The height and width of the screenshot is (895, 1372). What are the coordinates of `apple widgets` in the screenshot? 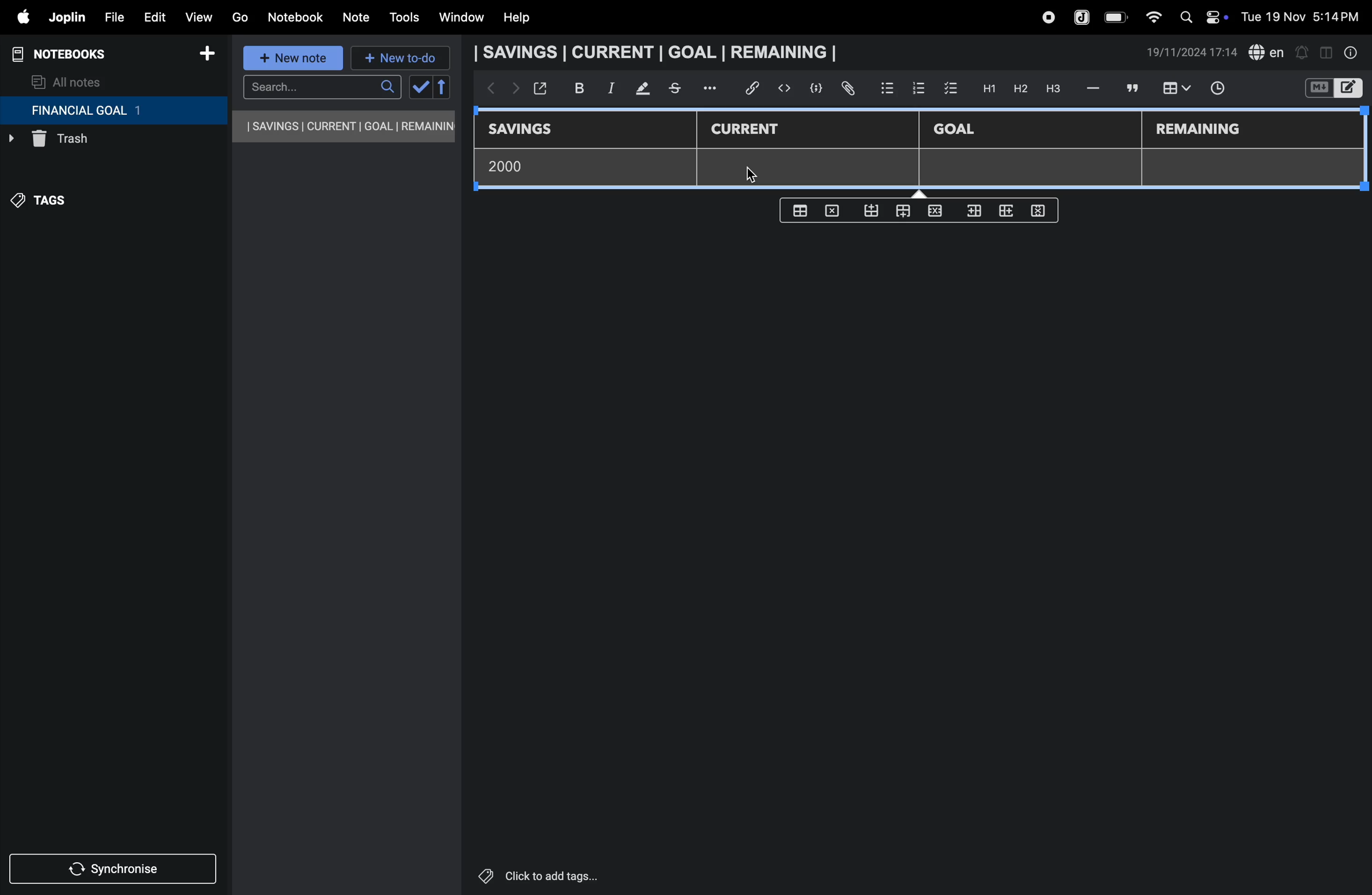 It's located at (1201, 16).